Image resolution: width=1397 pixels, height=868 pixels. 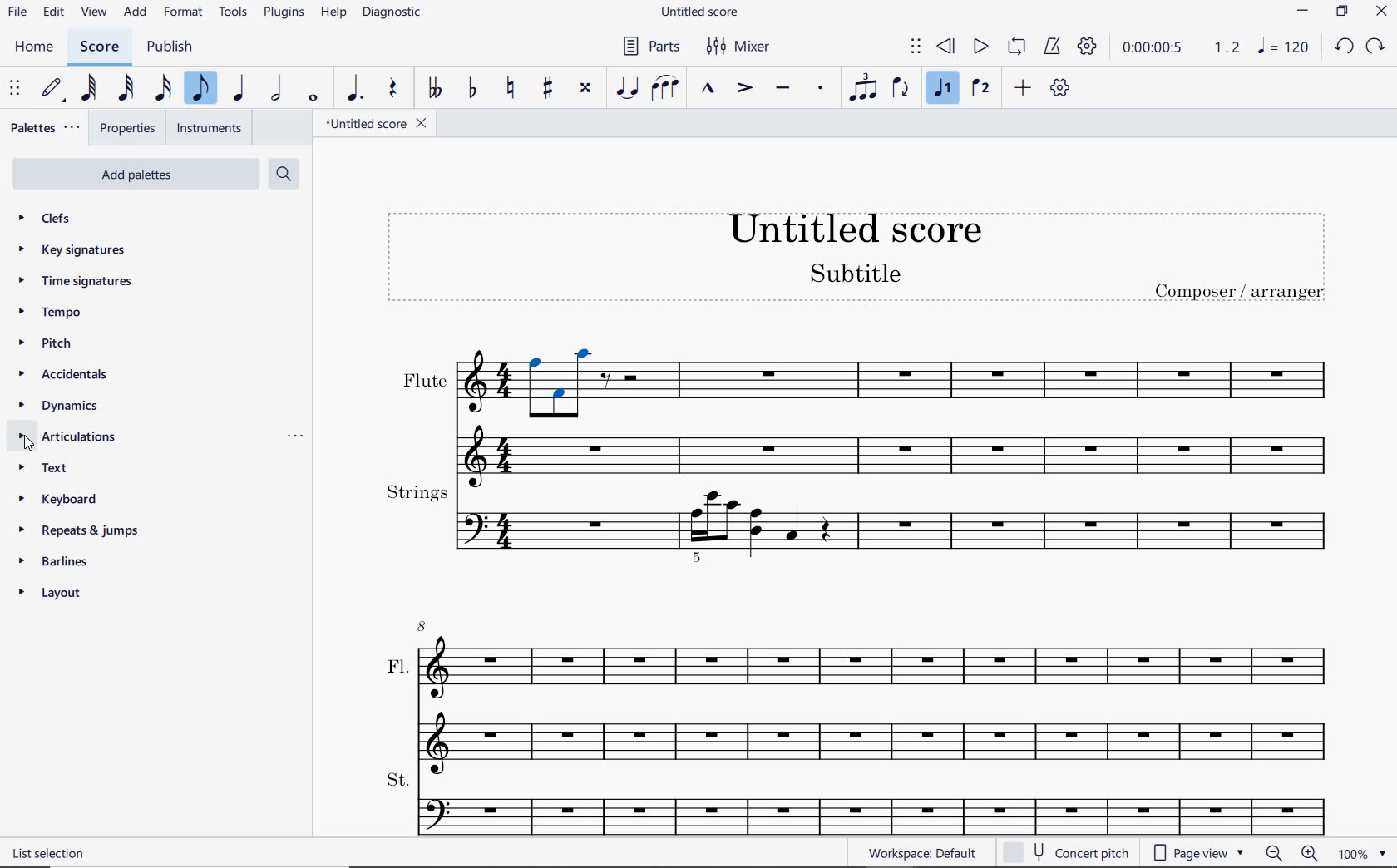 What do you see at coordinates (169, 47) in the screenshot?
I see `publish` at bounding box center [169, 47].